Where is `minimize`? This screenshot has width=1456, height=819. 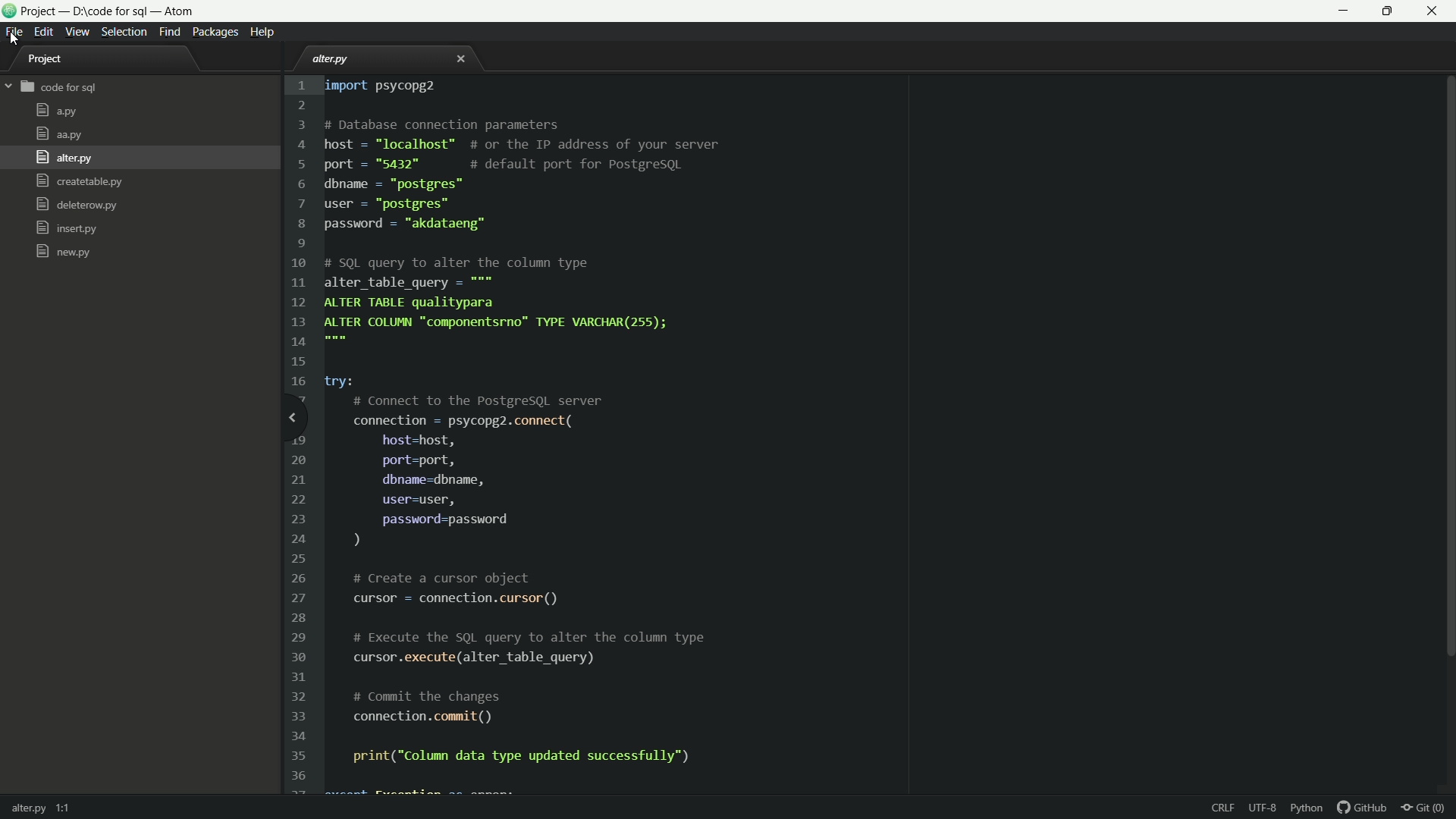 minimize is located at coordinates (1345, 11).